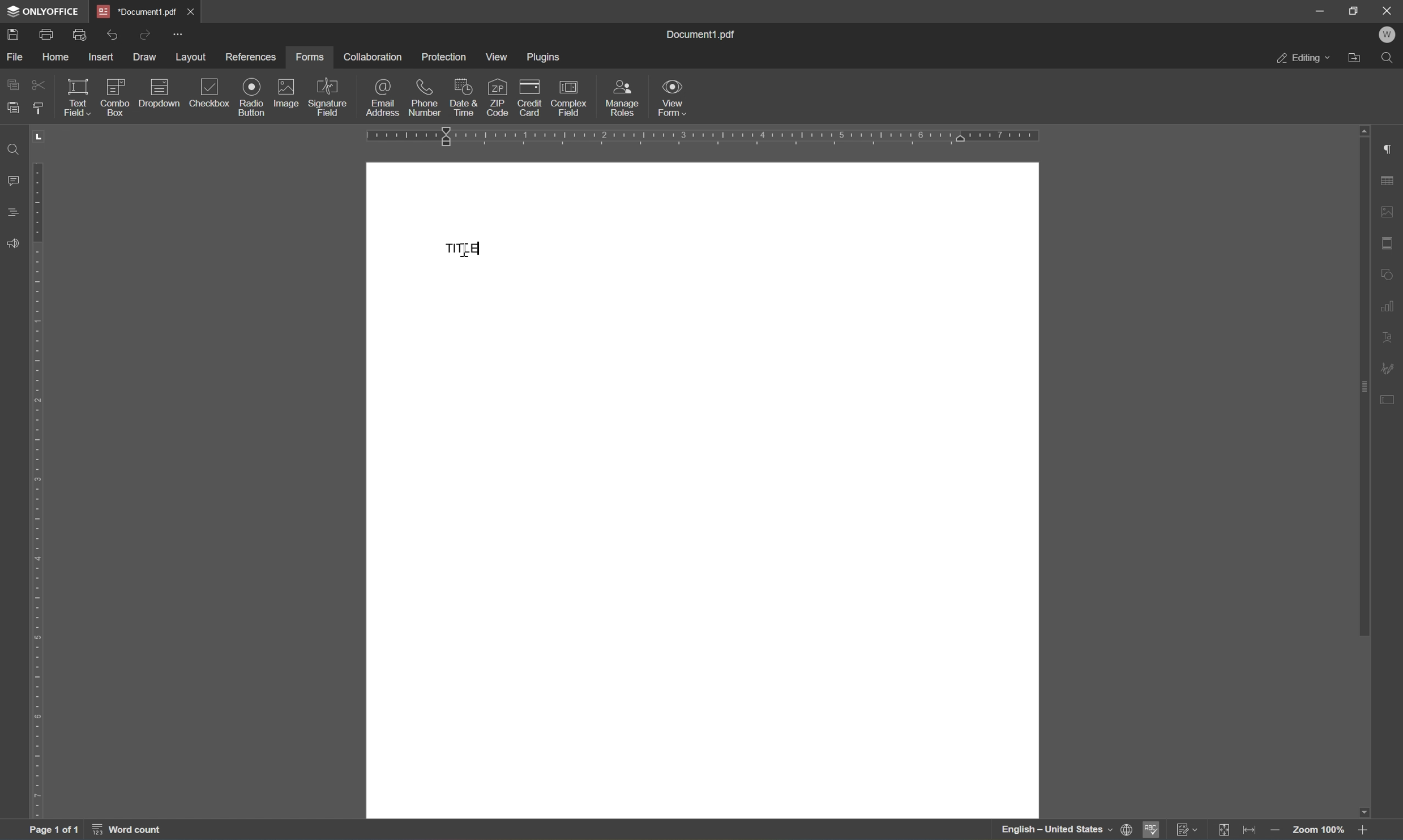  I want to click on page 1 of 1, so click(54, 828).